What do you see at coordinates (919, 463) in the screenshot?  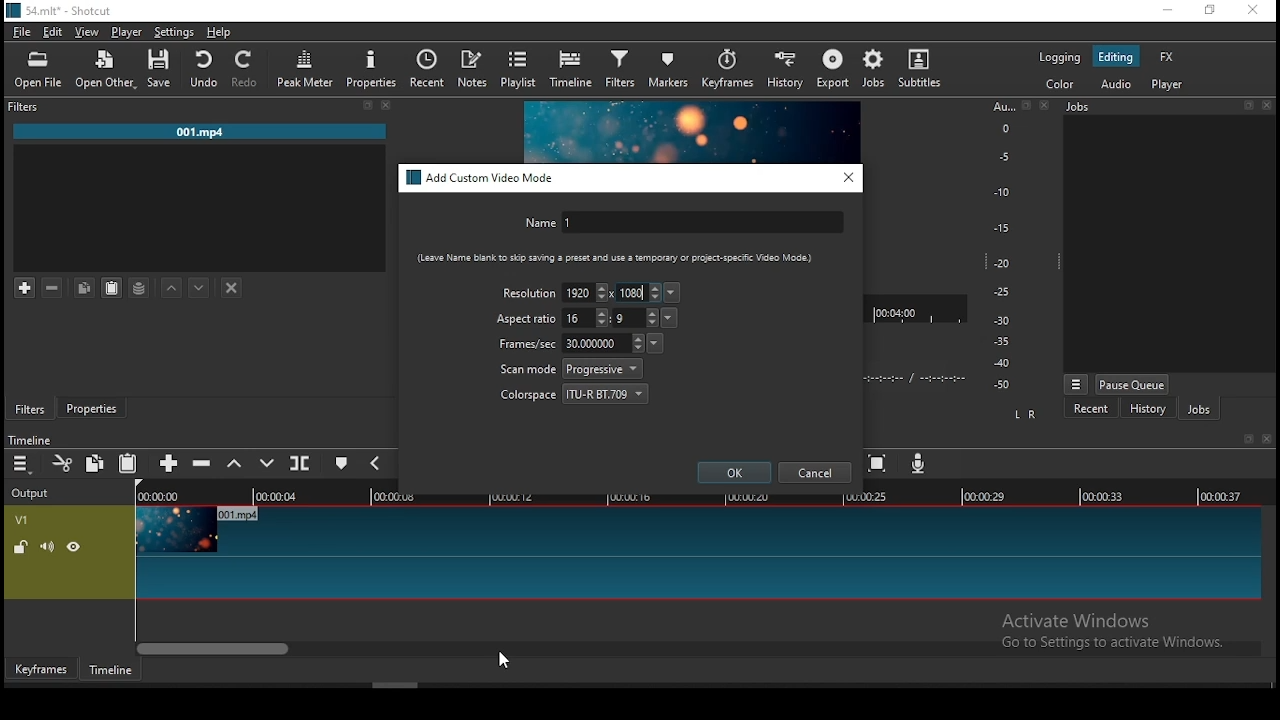 I see `record audio` at bounding box center [919, 463].